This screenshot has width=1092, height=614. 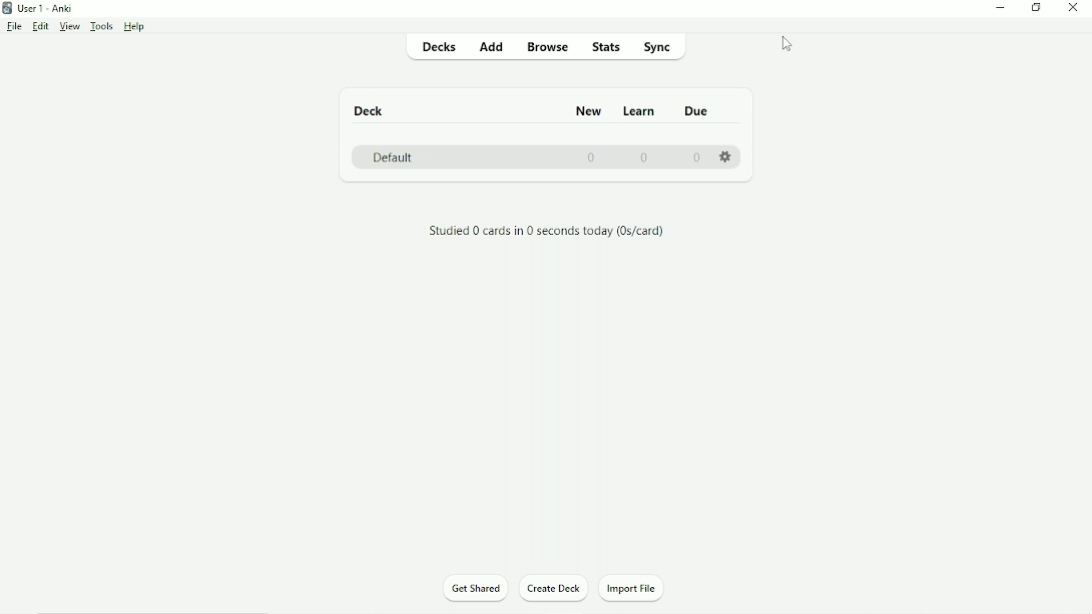 I want to click on Cursor, so click(x=789, y=46).